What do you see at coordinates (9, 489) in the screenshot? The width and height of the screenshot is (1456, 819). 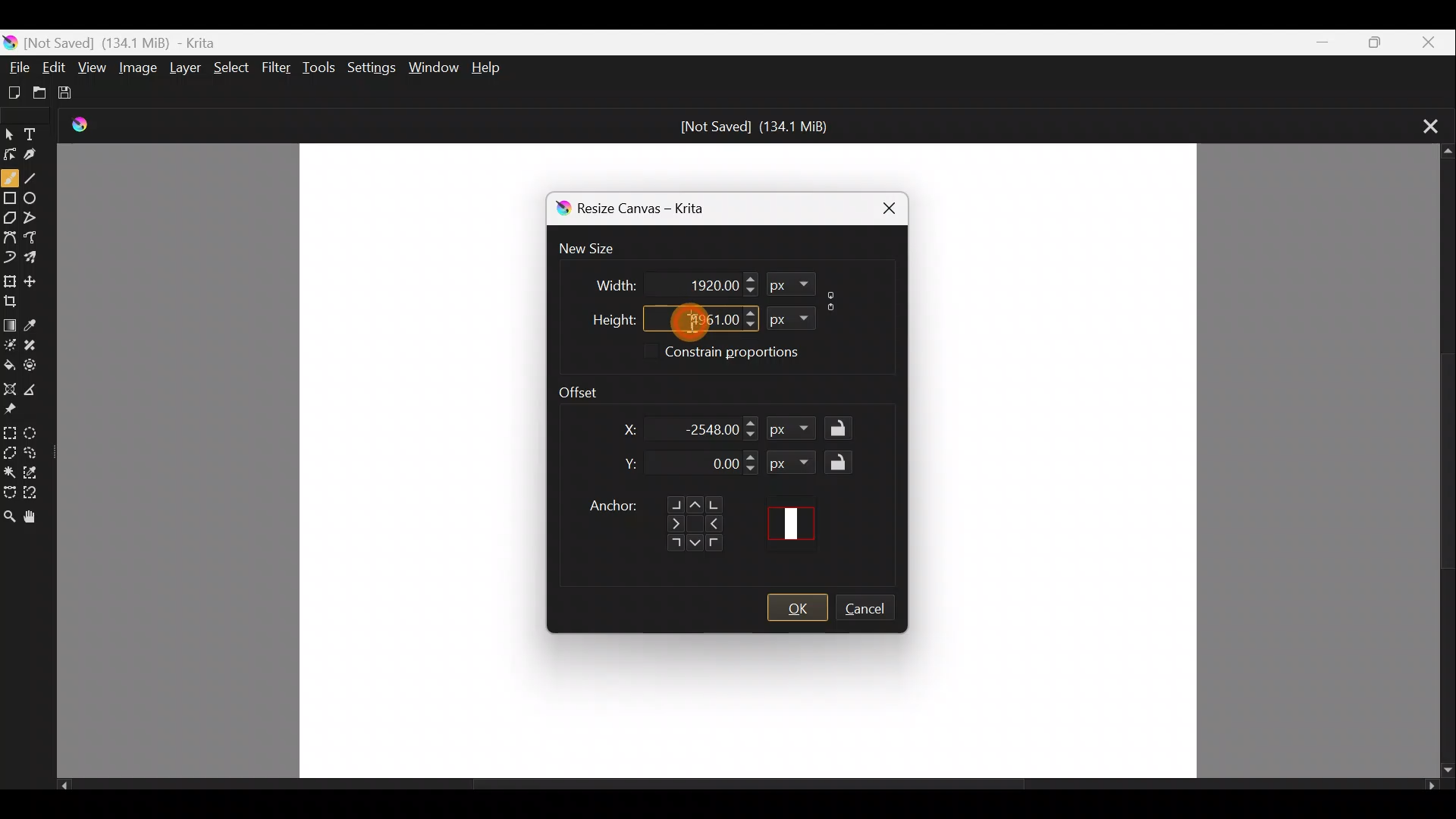 I see `Bezier curve selection tool` at bounding box center [9, 489].